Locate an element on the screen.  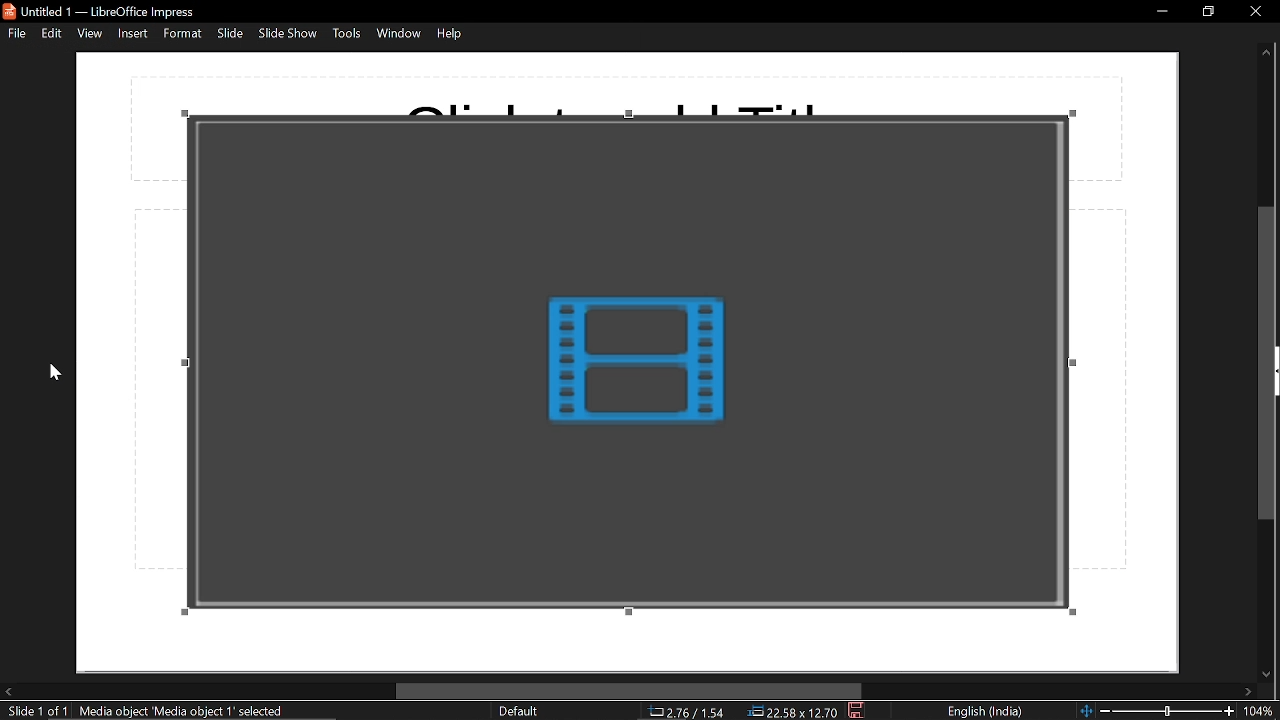
view is located at coordinates (92, 33).